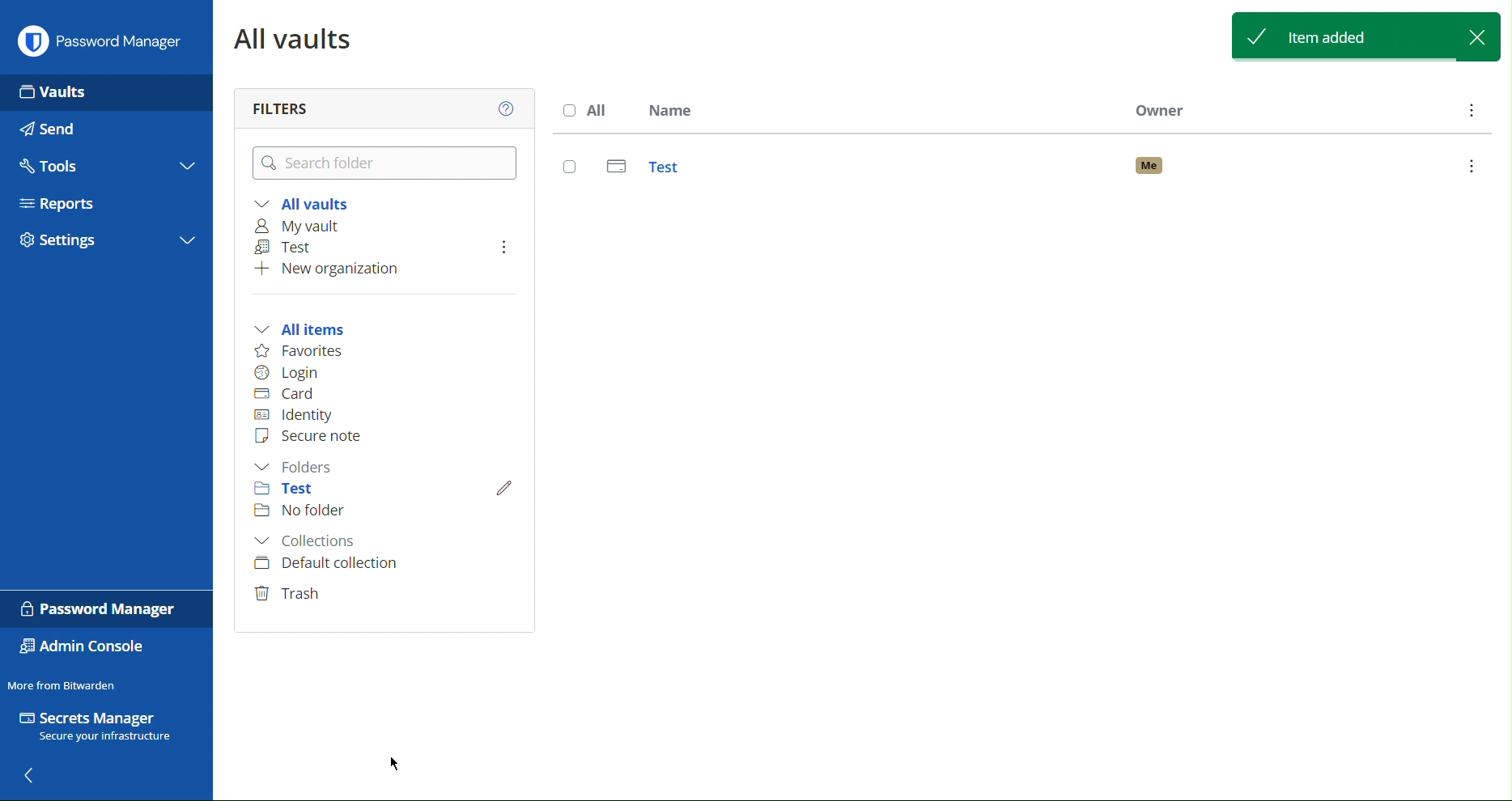 The width and height of the screenshot is (1512, 801). What do you see at coordinates (290, 375) in the screenshot?
I see `Login` at bounding box center [290, 375].